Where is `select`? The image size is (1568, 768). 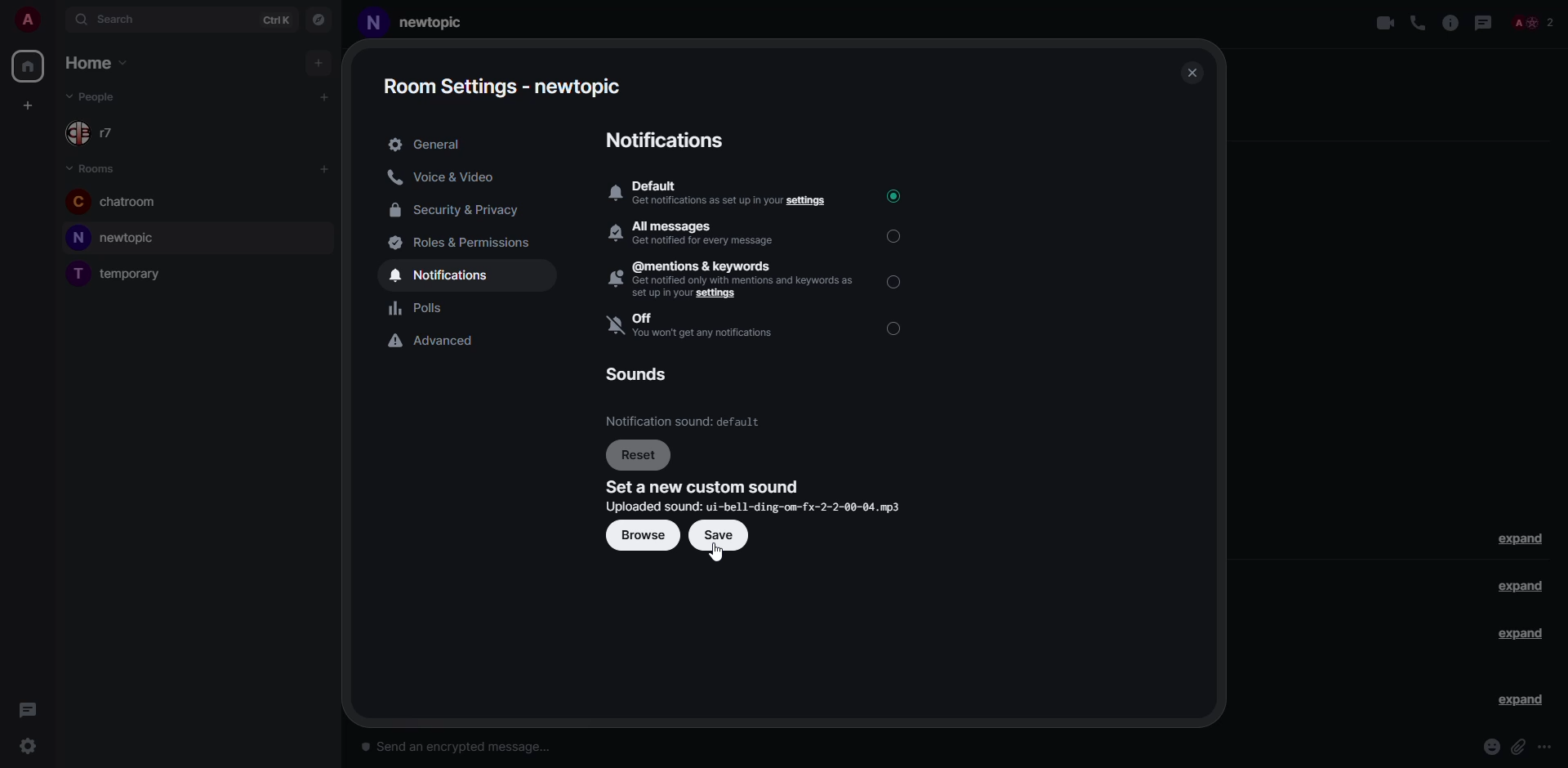
select is located at coordinates (896, 280).